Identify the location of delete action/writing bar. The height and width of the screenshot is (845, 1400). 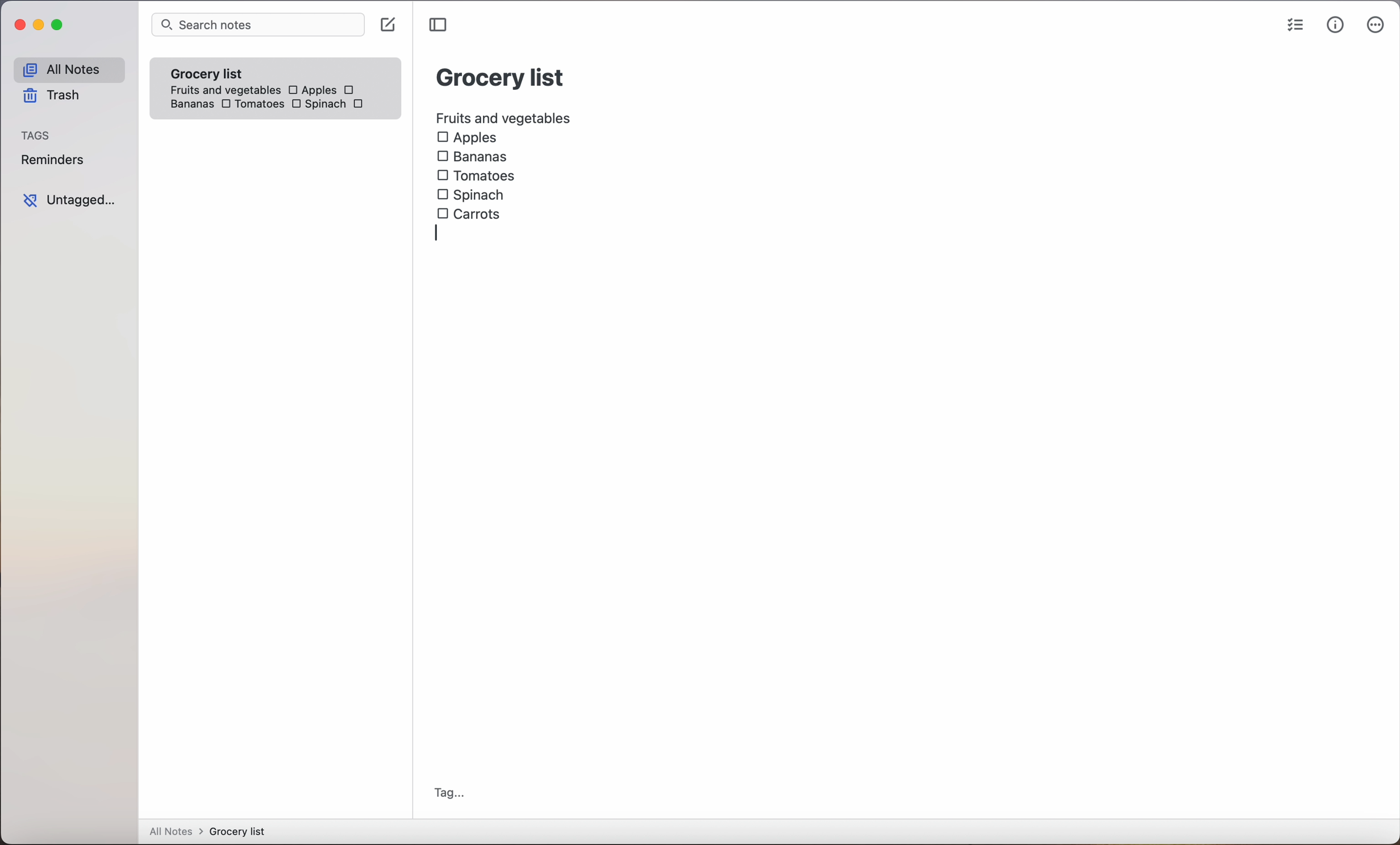
(486, 234).